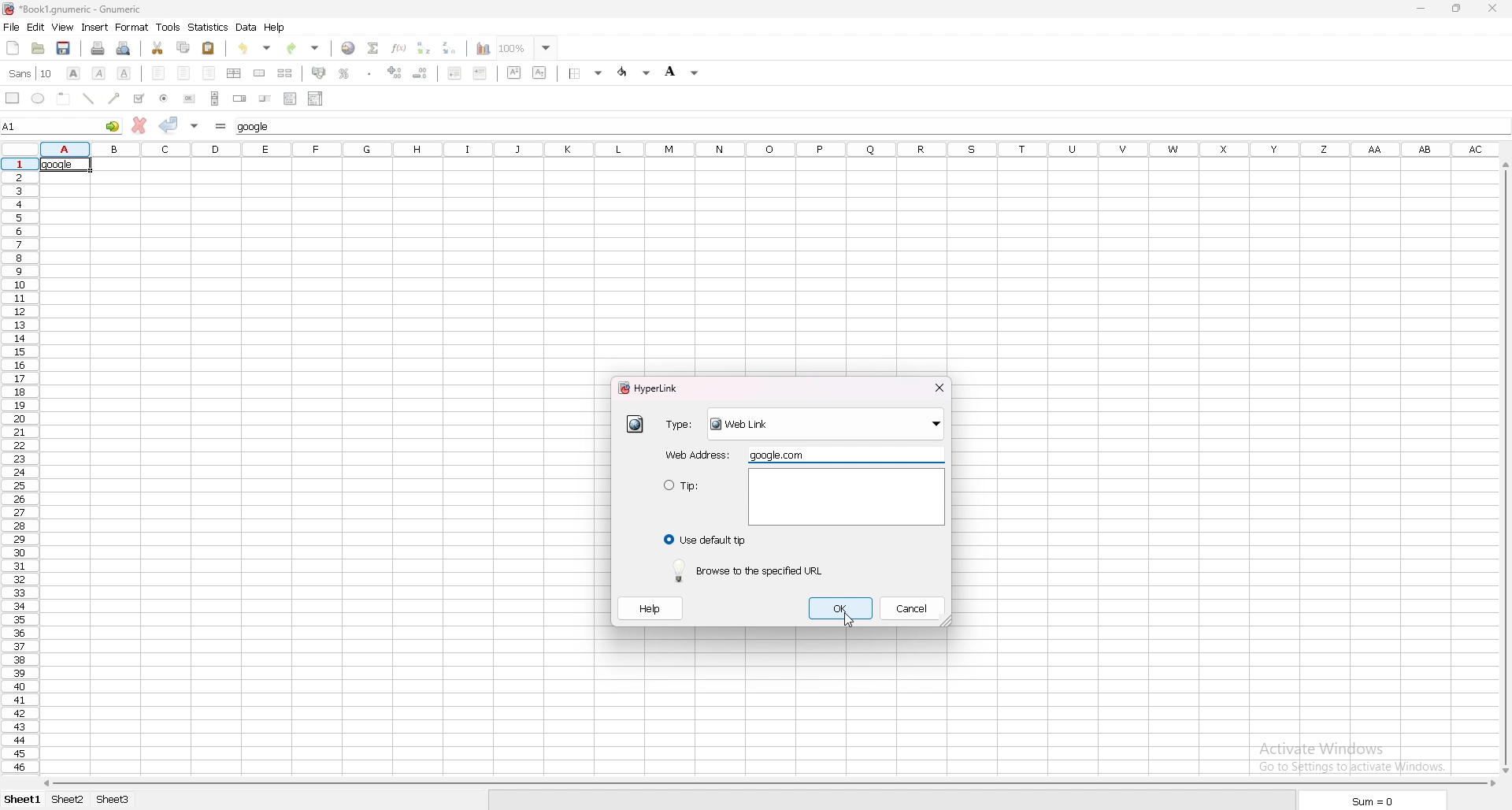  Describe the element at coordinates (750, 570) in the screenshot. I see `browse to the specified url` at that location.